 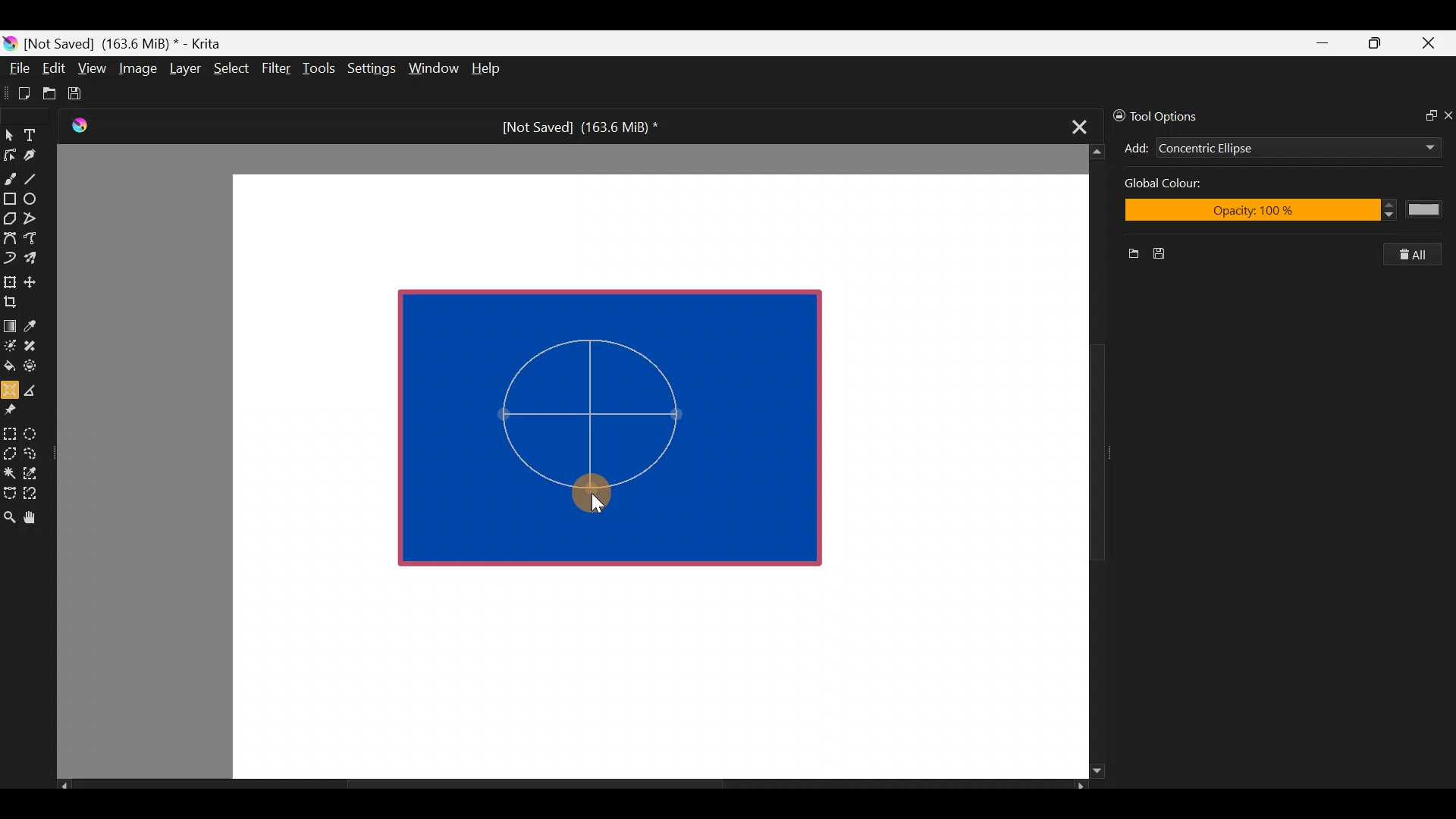 I want to click on Rectangular selection tool, so click(x=13, y=431).